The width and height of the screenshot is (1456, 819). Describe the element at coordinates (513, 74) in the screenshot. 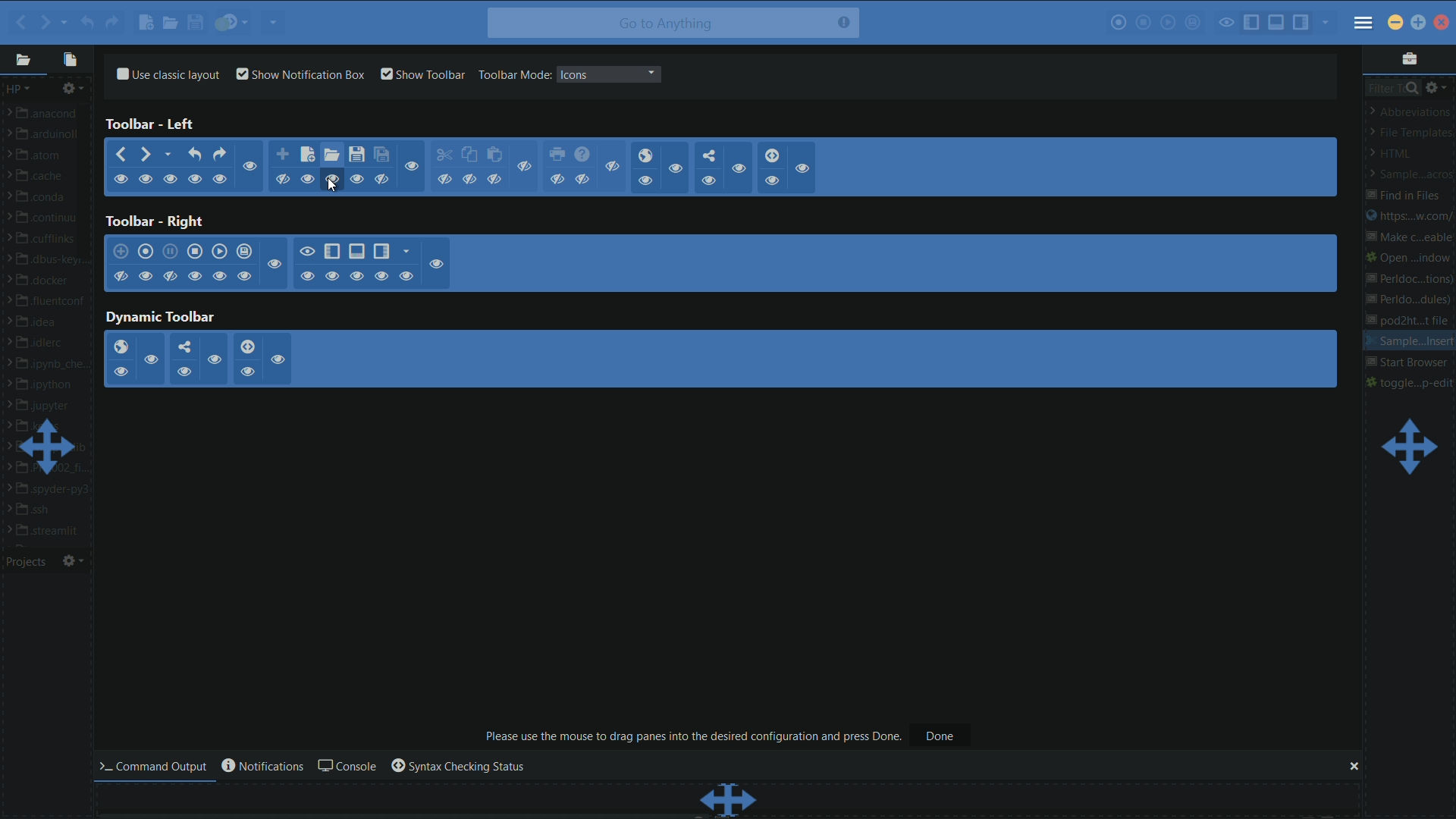

I see `toolbar mode` at that location.